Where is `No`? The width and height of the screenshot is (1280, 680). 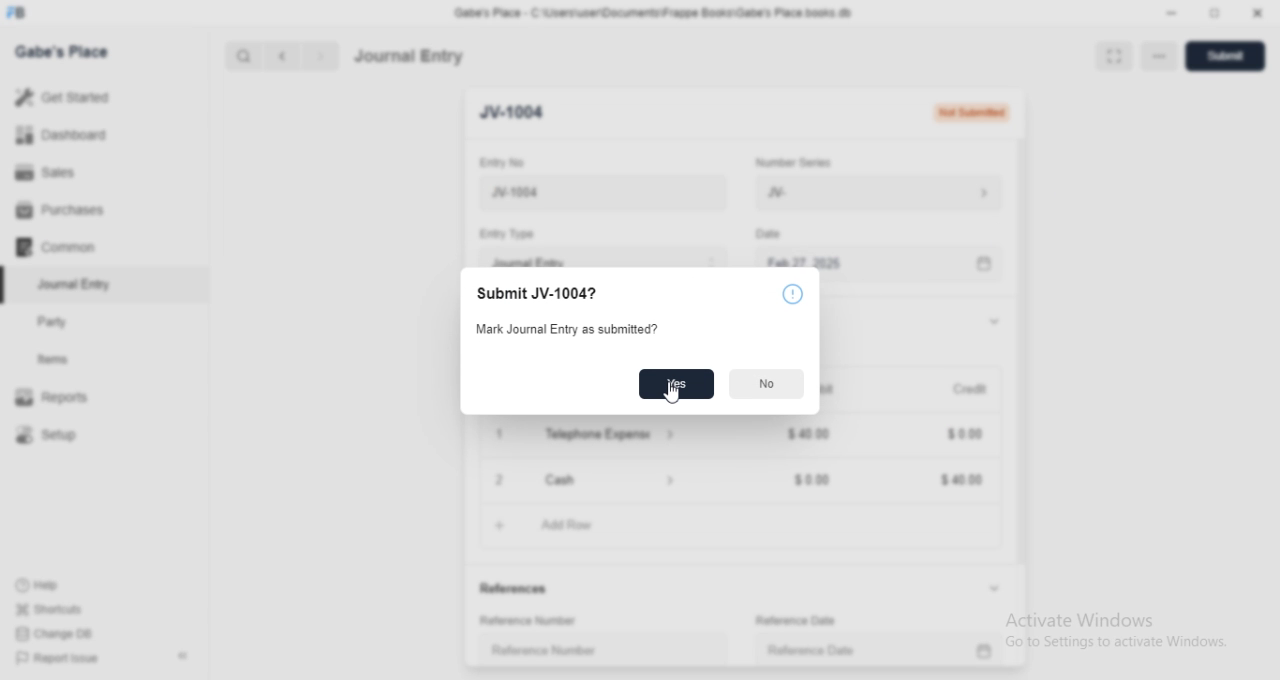 No is located at coordinates (767, 384).